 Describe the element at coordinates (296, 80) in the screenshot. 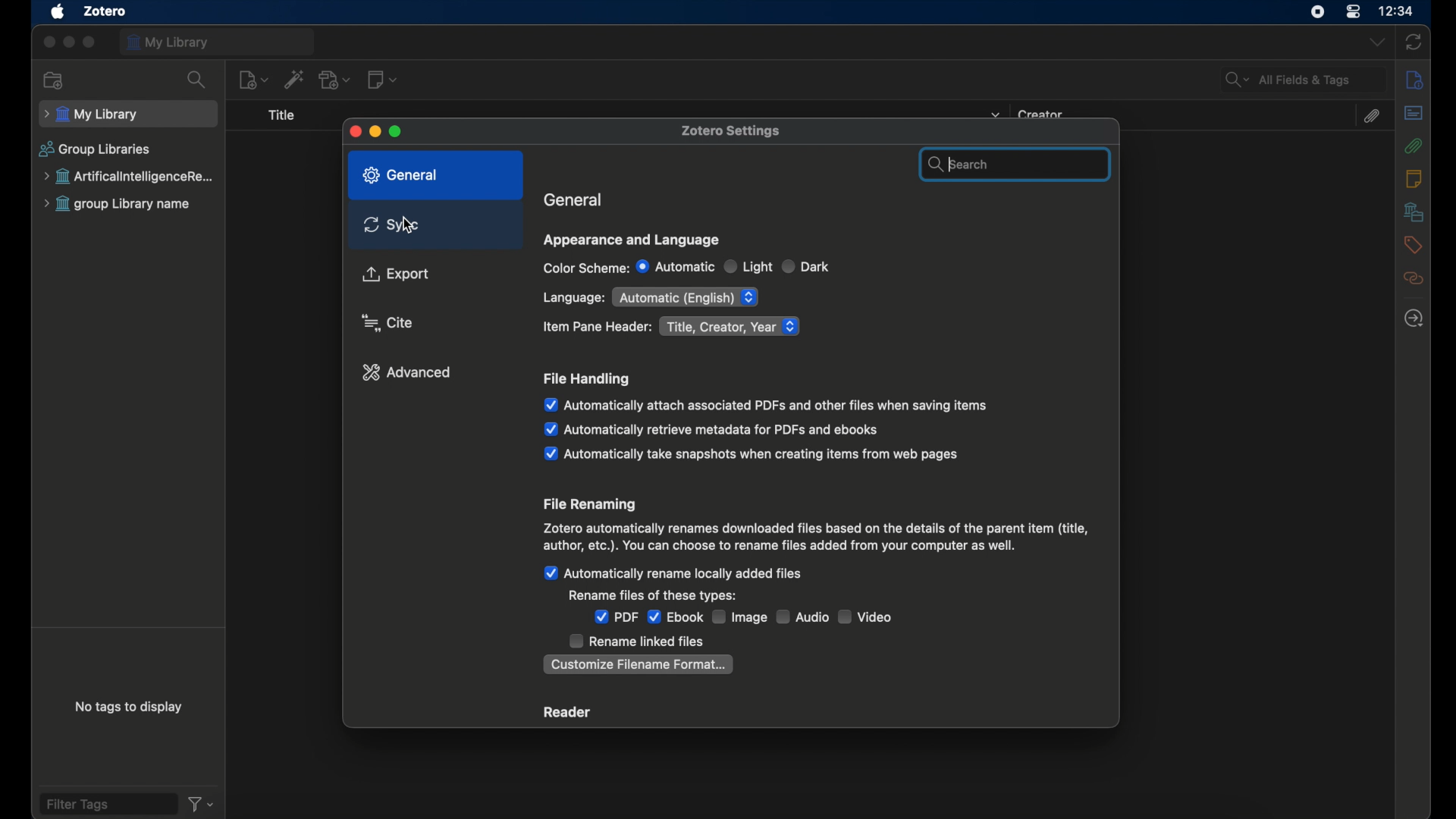

I see `add items by identifier` at that location.